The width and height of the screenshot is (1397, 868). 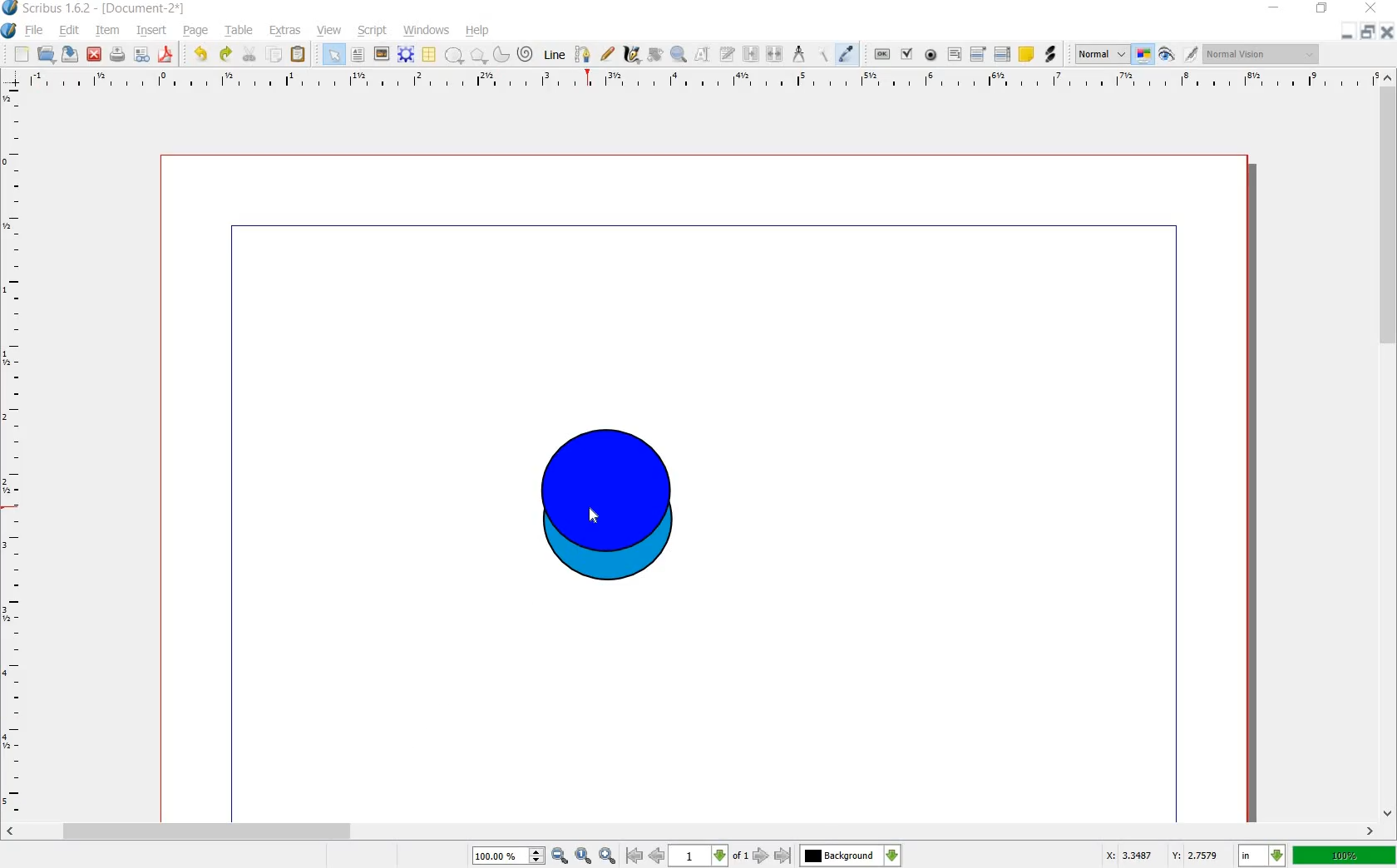 I want to click on help, so click(x=477, y=31).